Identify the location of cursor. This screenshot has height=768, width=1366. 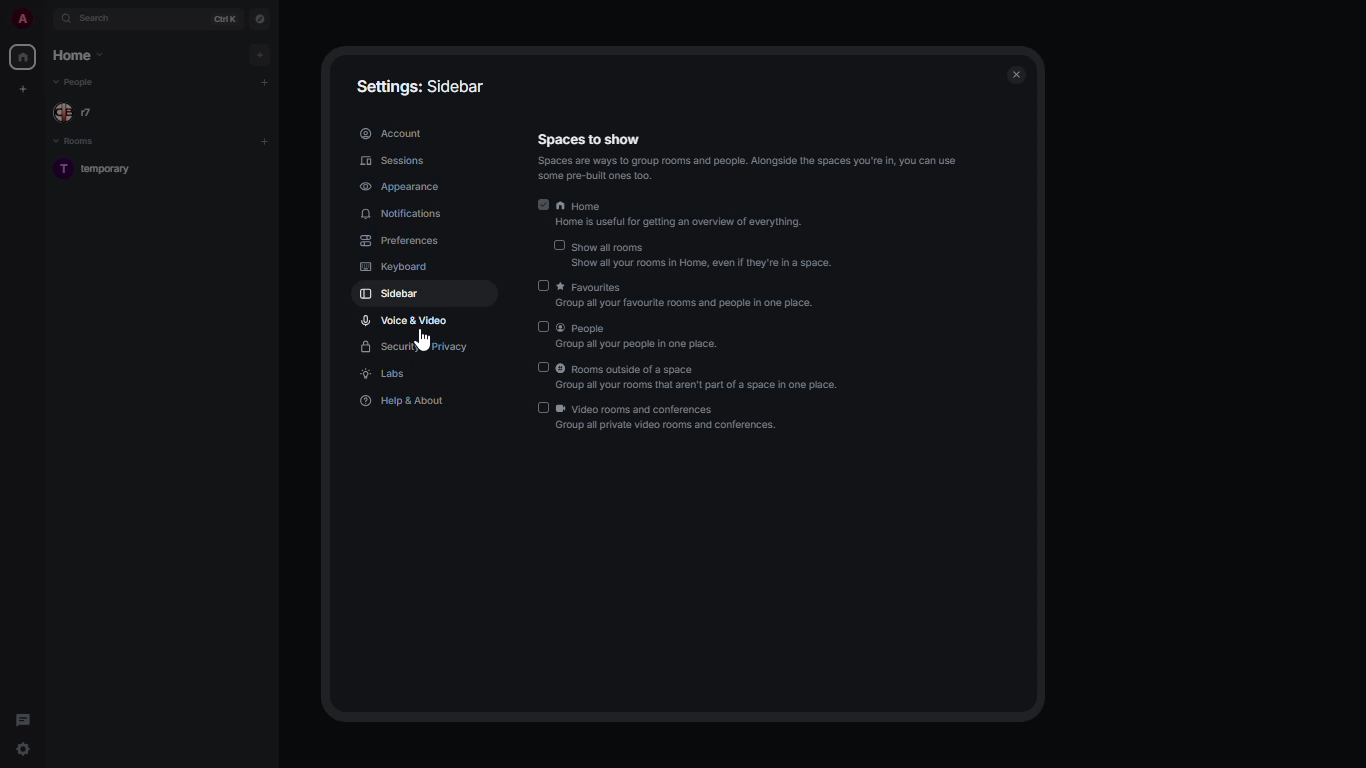
(421, 341).